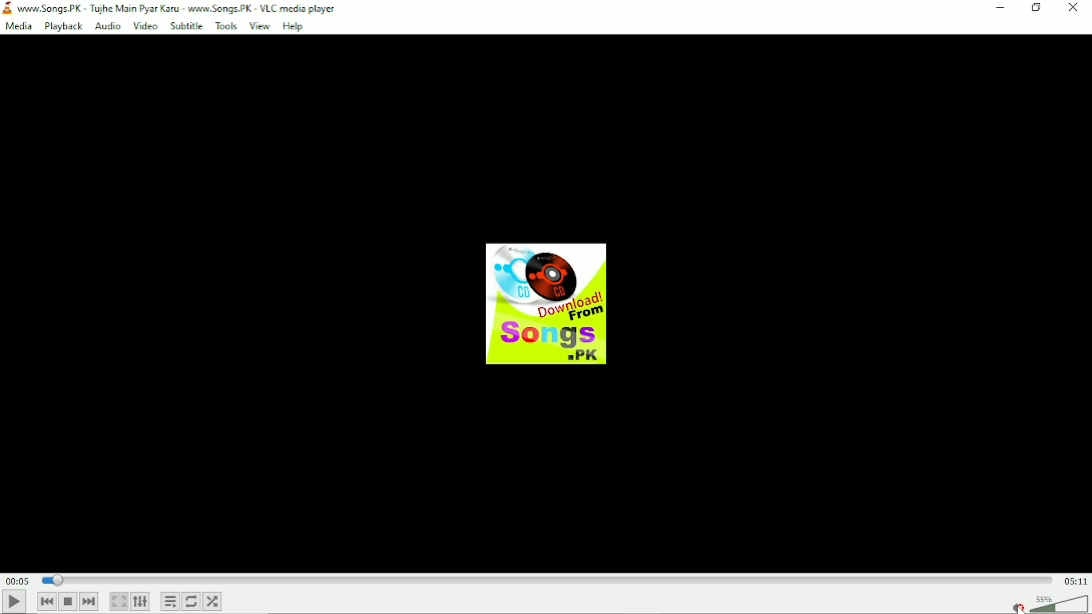 The image size is (1092, 614). I want to click on Toggle between loop all, loop one  and no loop, so click(192, 602).